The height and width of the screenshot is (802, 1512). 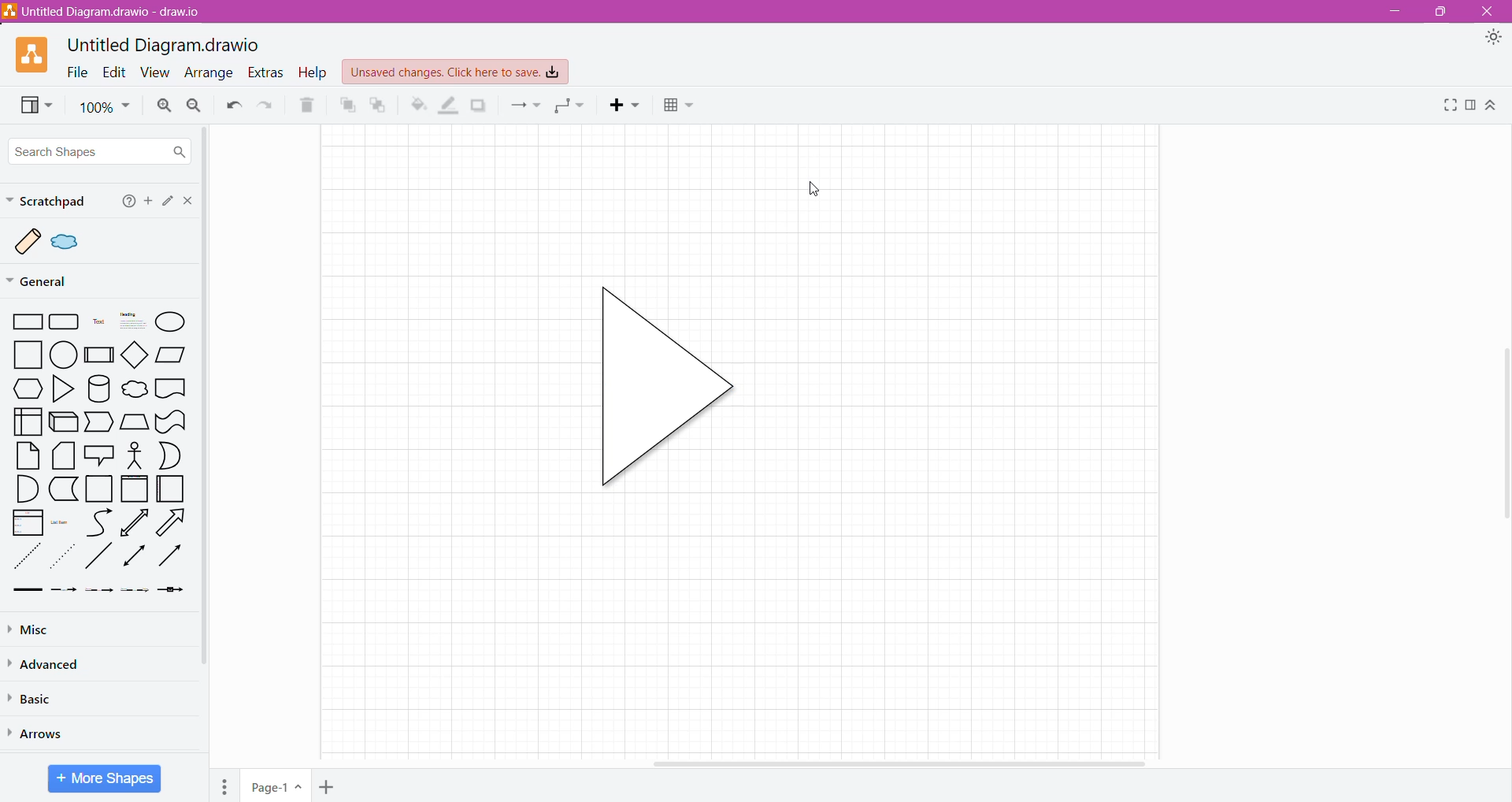 What do you see at coordinates (305, 106) in the screenshot?
I see `Delete` at bounding box center [305, 106].